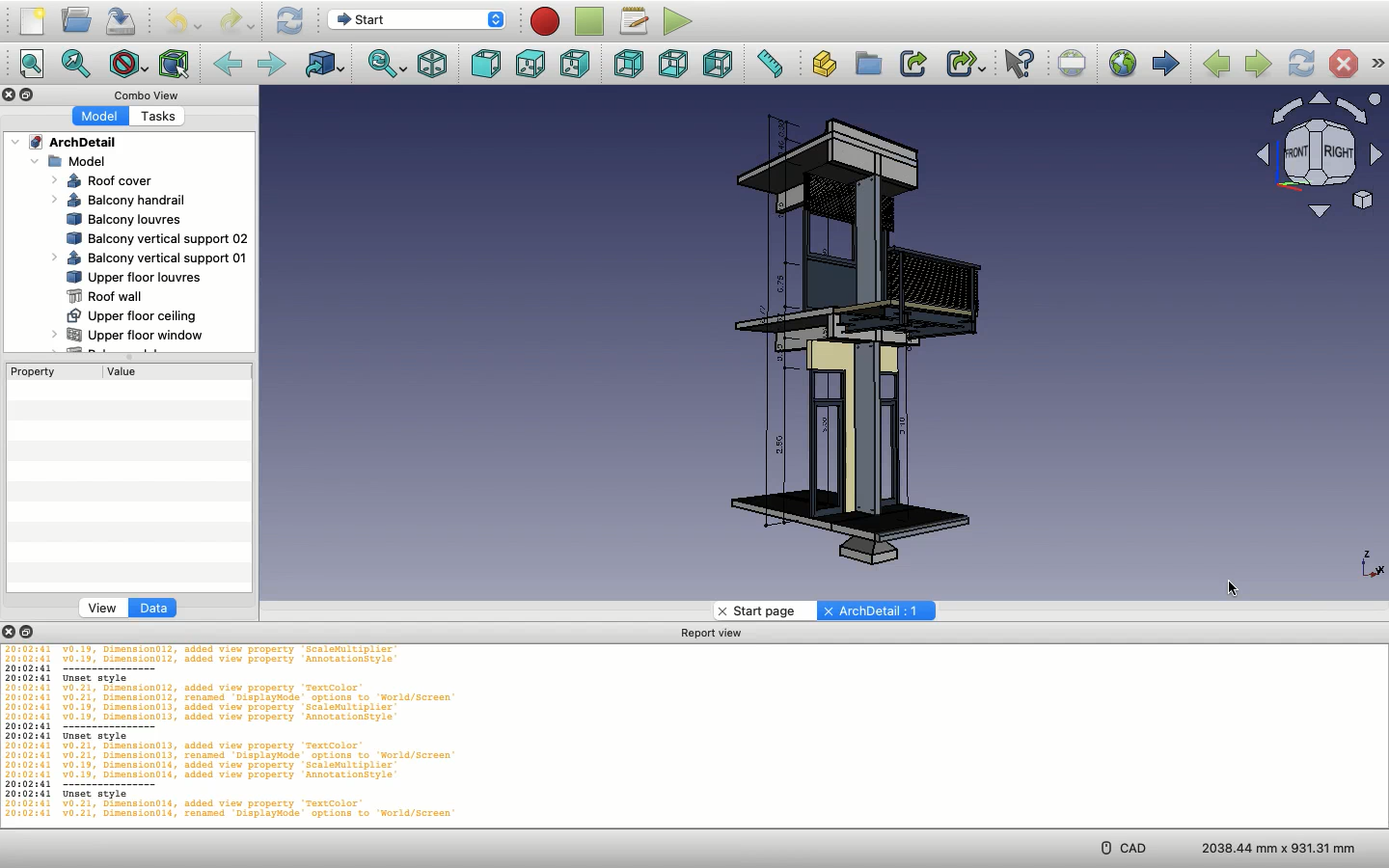 This screenshot has height=868, width=1389. I want to click on Left, so click(716, 65).